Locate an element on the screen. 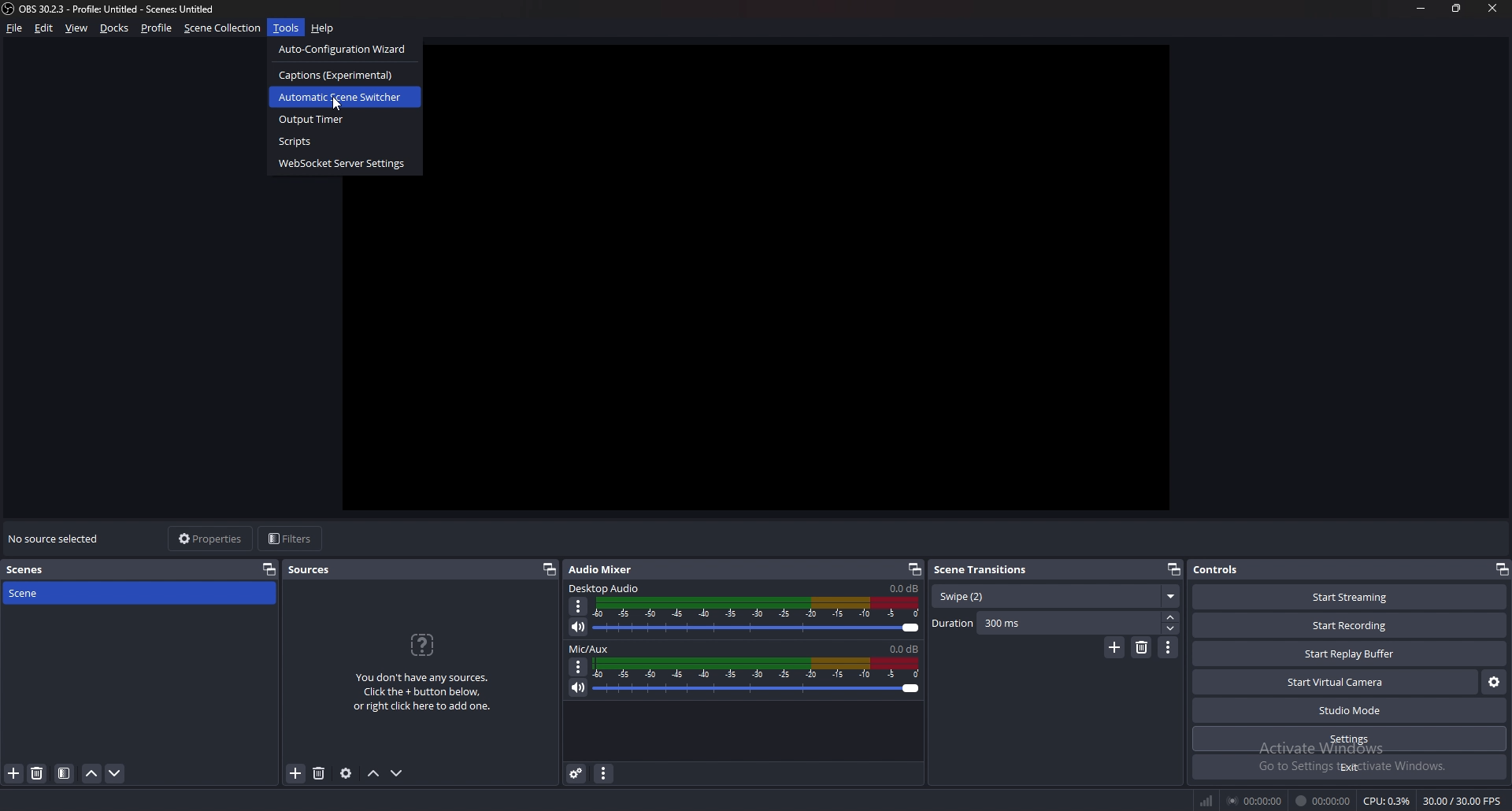  output timer is located at coordinates (343, 120).